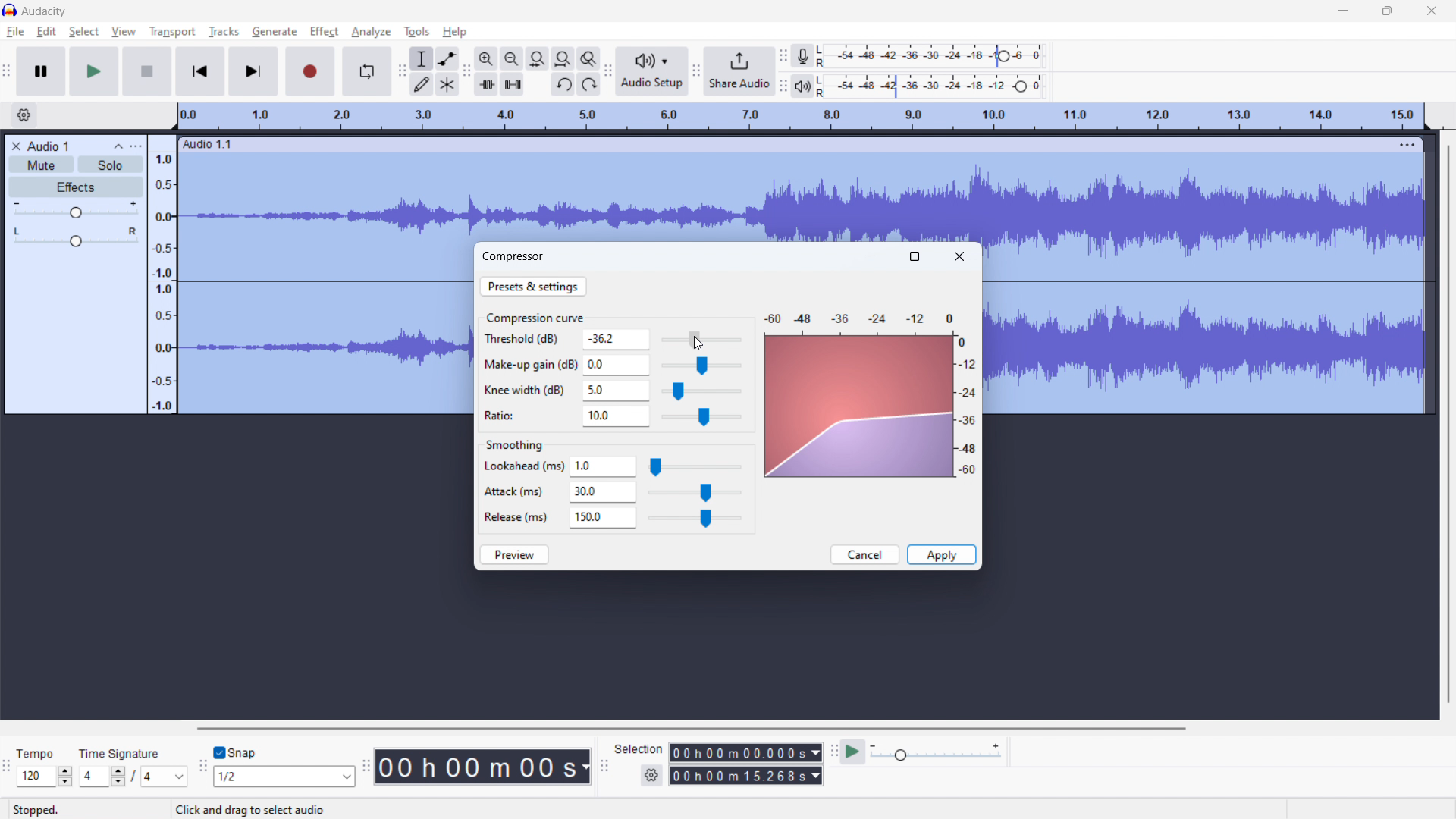 Image resolution: width=1456 pixels, height=819 pixels. Describe the element at coordinates (75, 187) in the screenshot. I see `effects` at that location.